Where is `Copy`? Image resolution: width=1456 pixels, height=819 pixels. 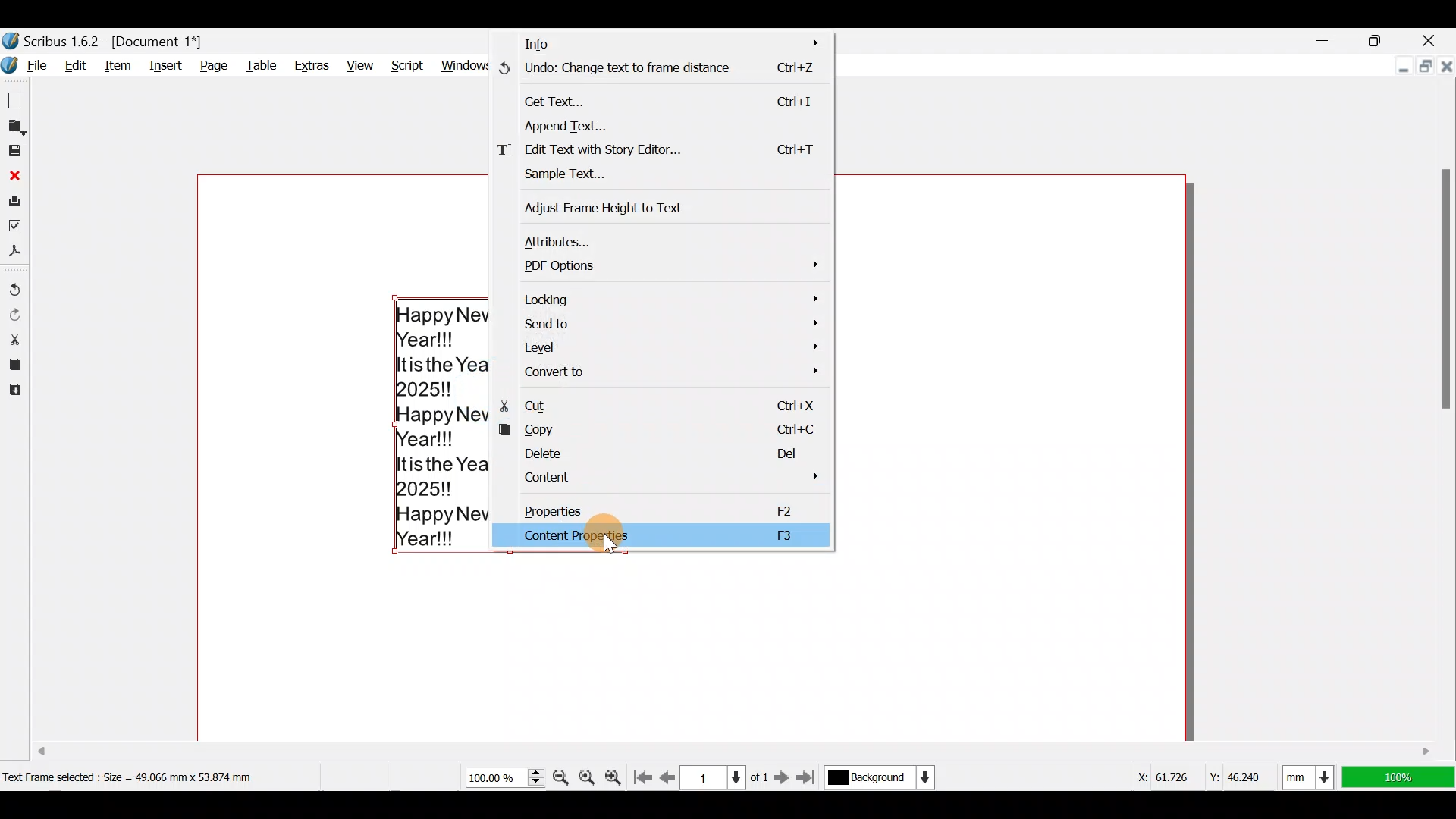 Copy is located at coordinates (668, 428).